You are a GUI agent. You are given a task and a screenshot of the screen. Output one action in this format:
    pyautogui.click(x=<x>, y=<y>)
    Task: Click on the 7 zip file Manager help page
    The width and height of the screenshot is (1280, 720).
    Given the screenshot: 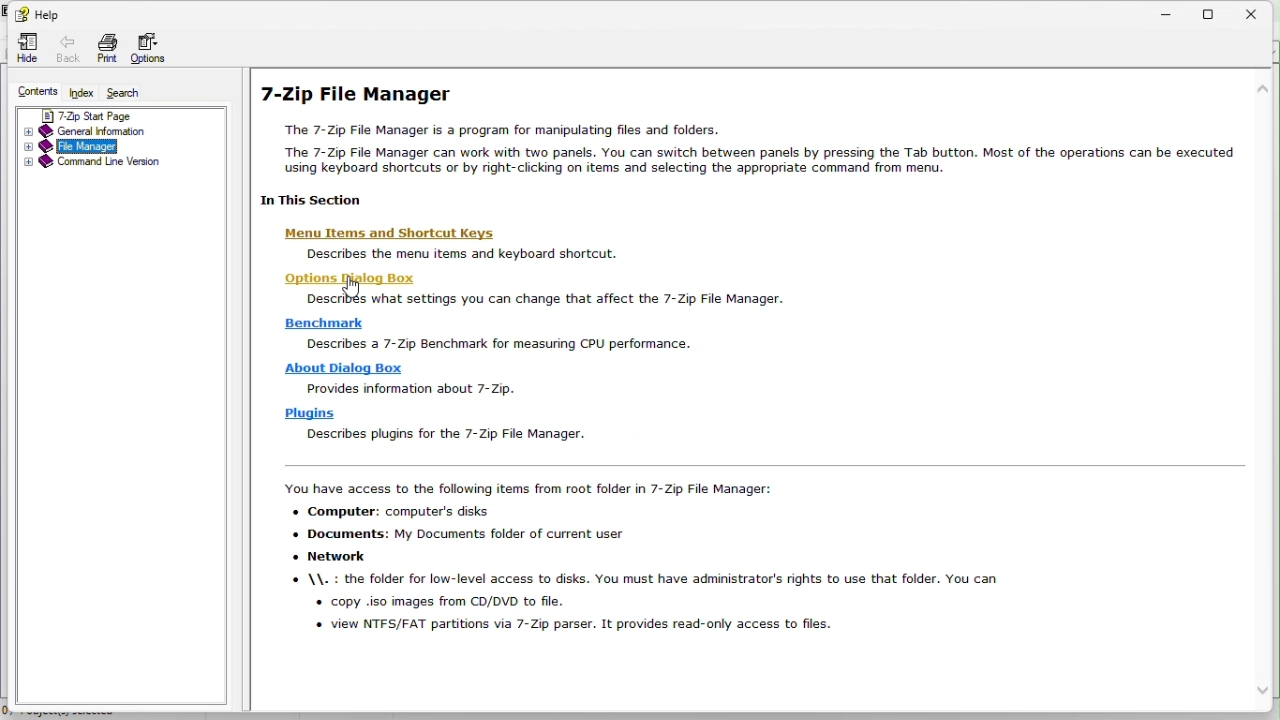 What is the action you would take?
    pyautogui.click(x=767, y=135)
    